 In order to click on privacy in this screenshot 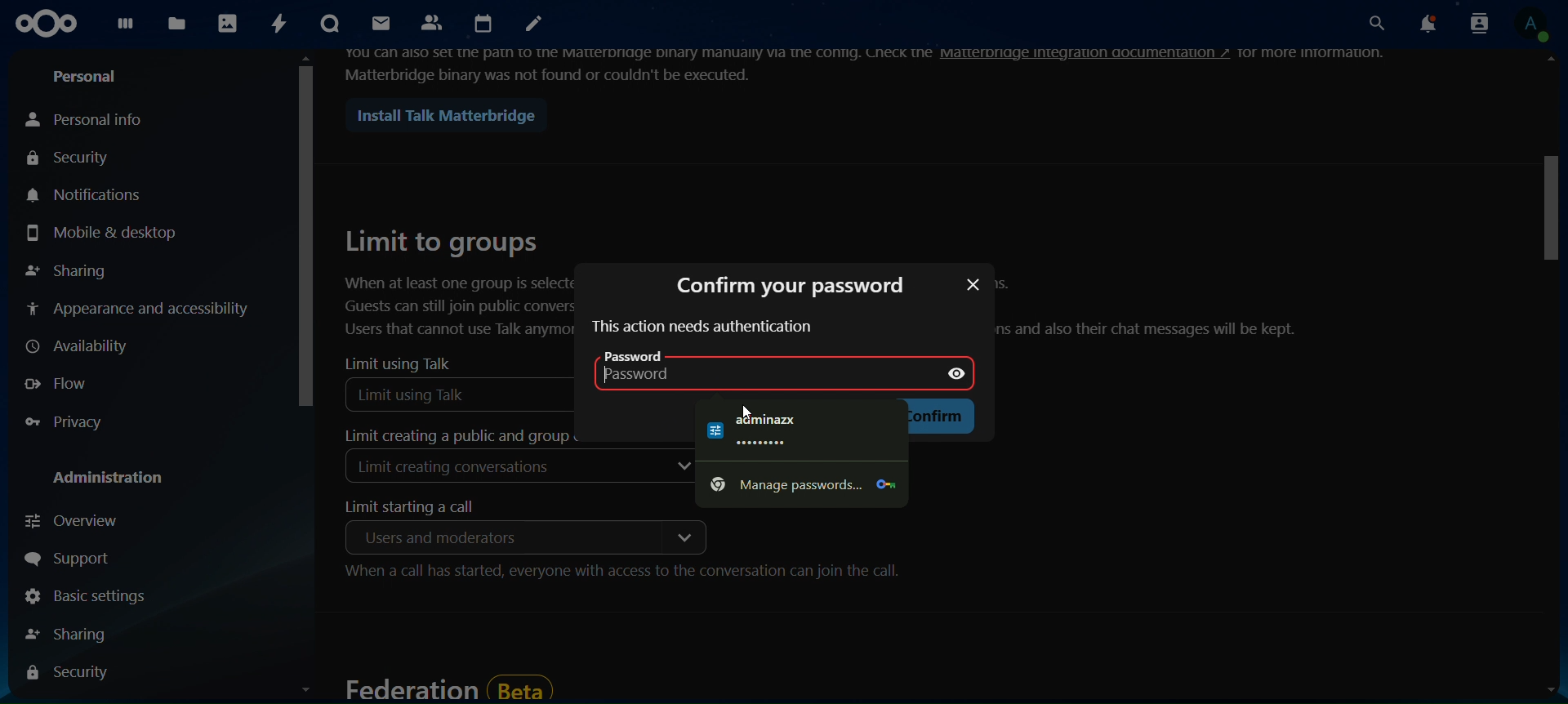, I will do `click(74, 423)`.